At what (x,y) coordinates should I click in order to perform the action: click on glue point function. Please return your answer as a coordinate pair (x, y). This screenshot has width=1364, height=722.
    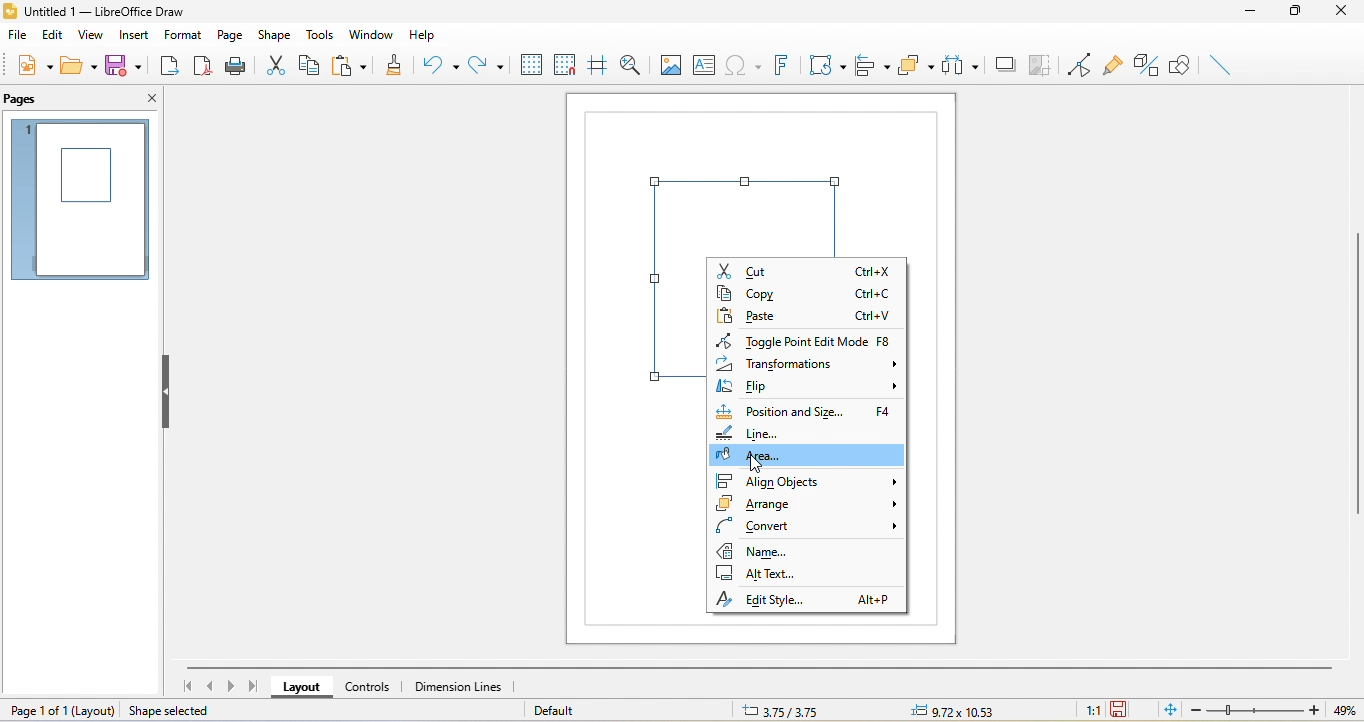
    Looking at the image, I should click on (1112, 63).